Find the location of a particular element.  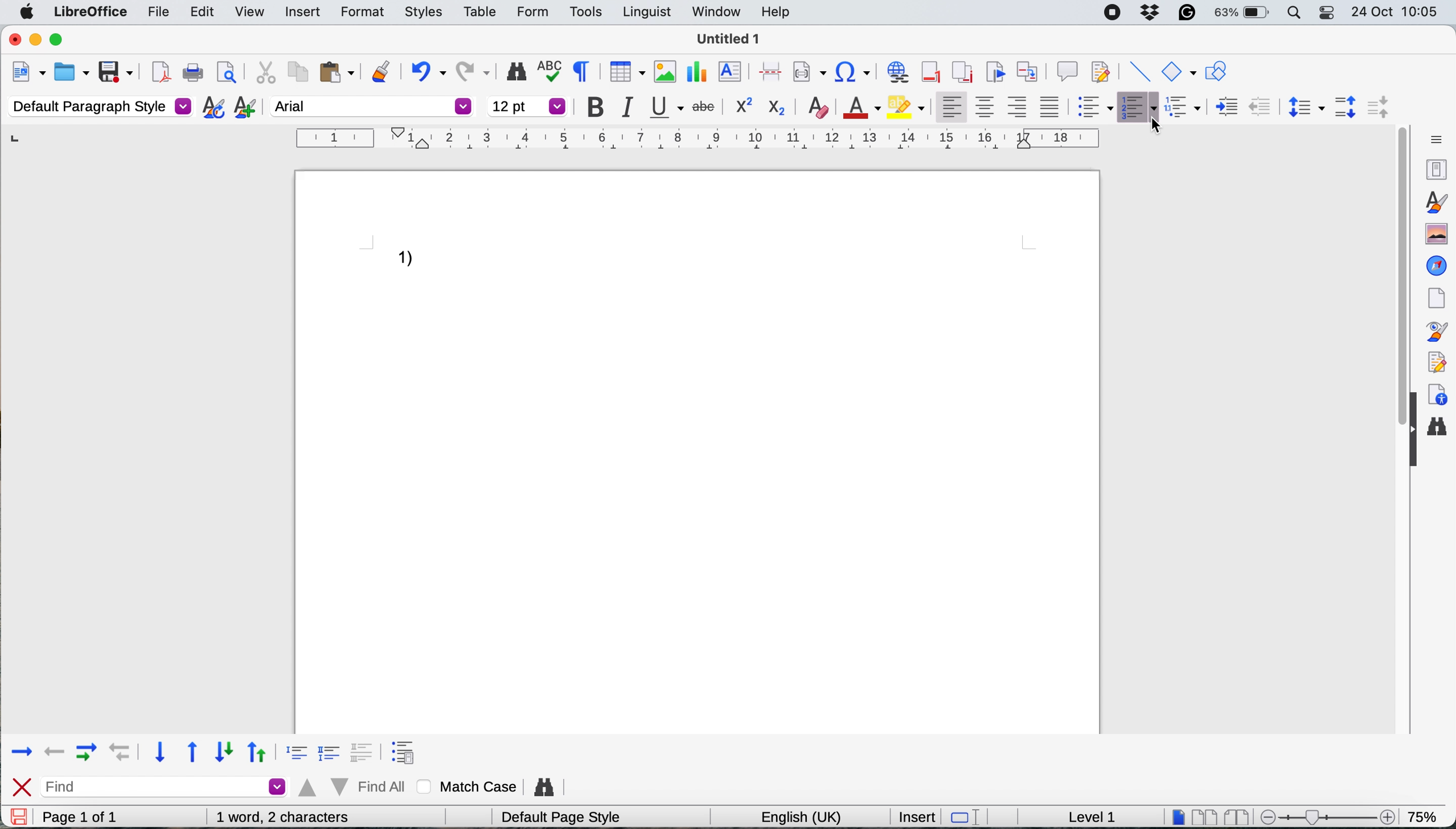

insert image is located at coordinates (663, 71).